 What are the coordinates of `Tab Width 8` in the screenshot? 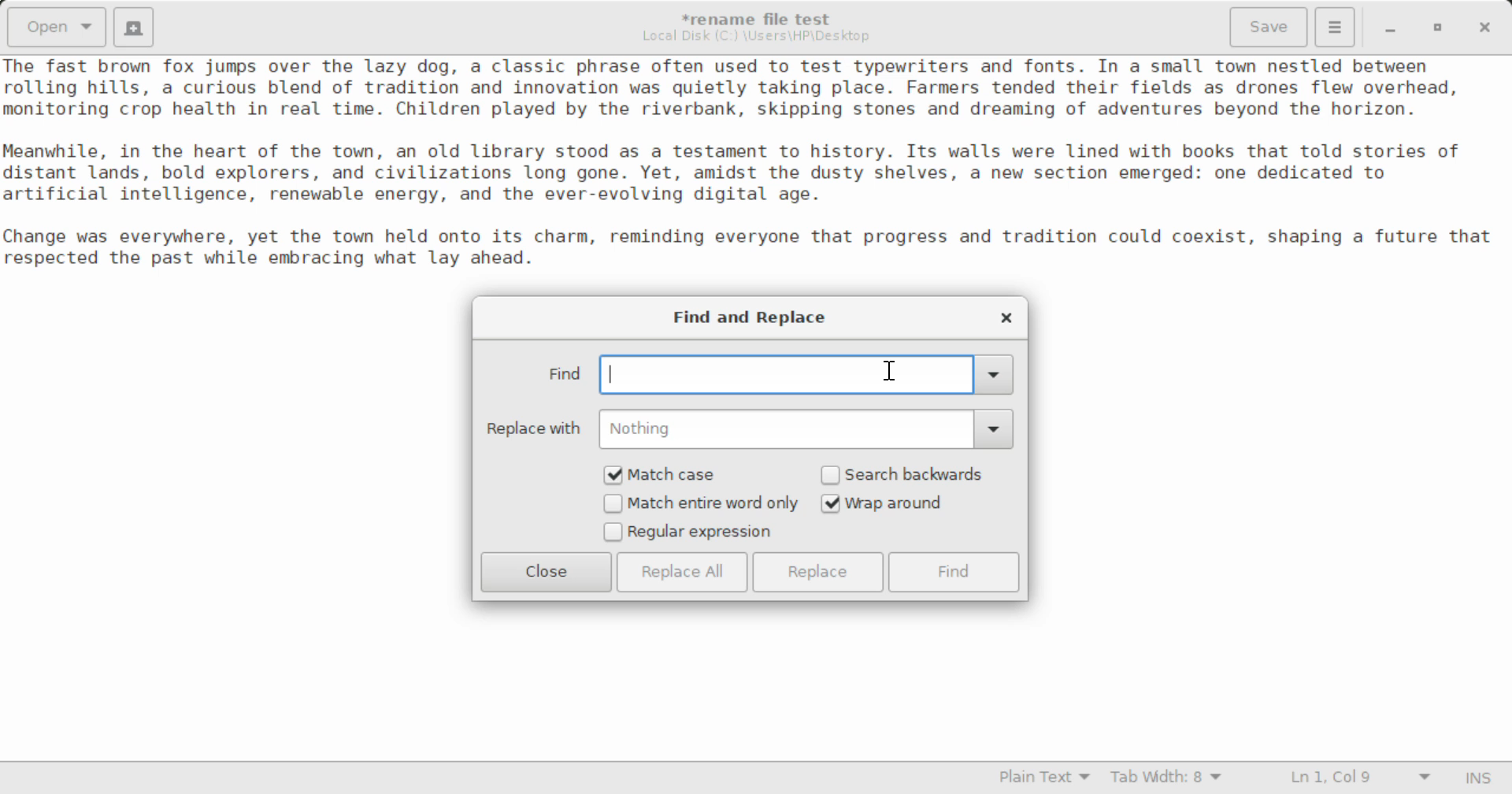 It's located at (1166, 779).